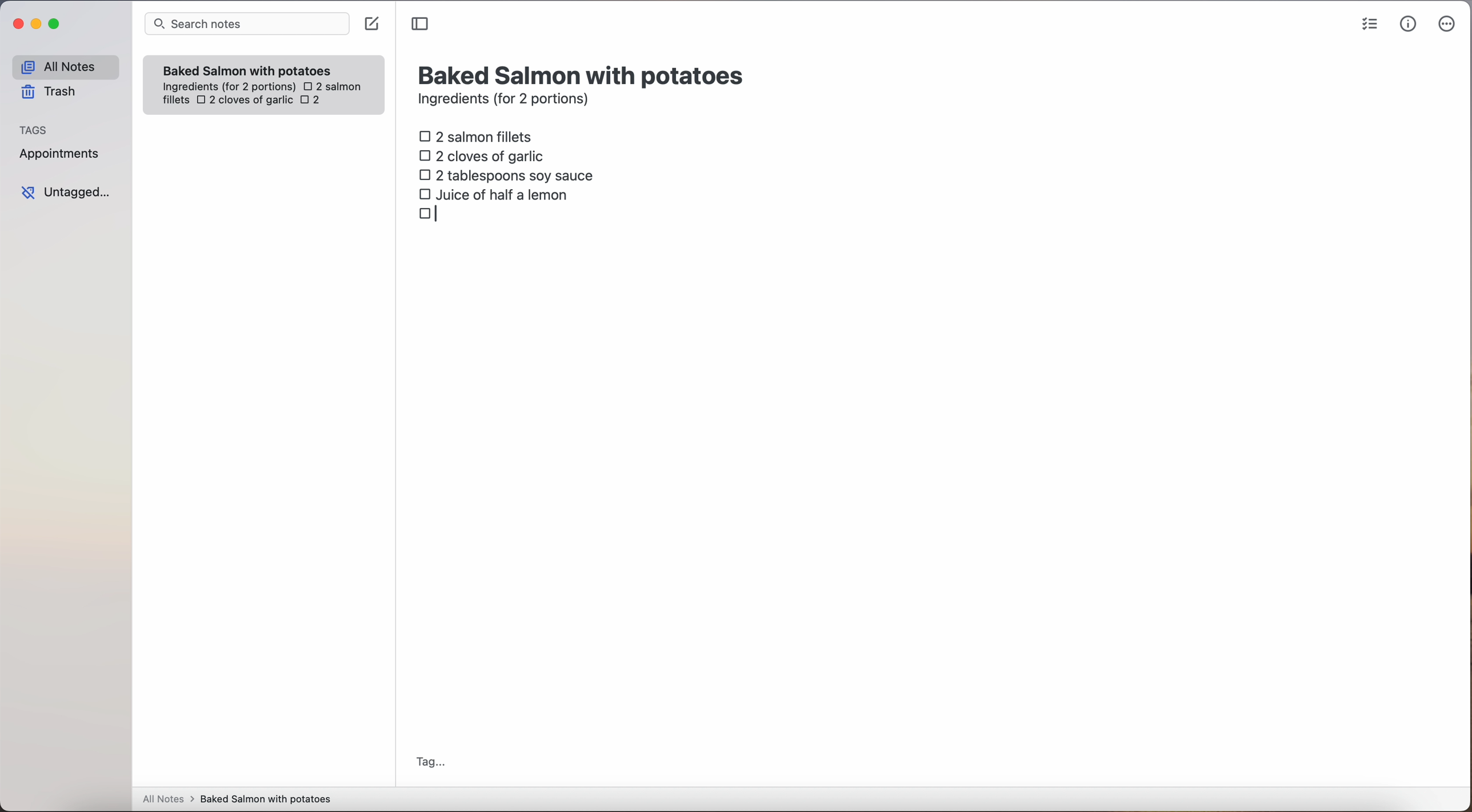 This screenshot has width=1472, height=812. Describe the element at coordinates (67, 192) in the screenshot. I see `untagged` at that location.